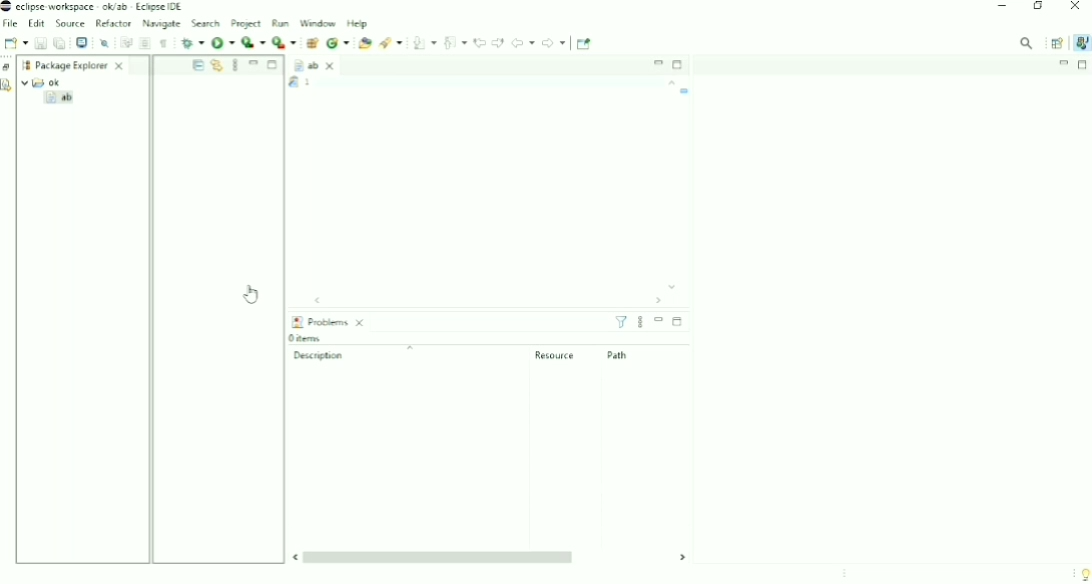 The width and height of the screenshot is (1092, 584). Describe the element at coordinates (1076, 8) in the screenshot. I see `Close` at that location.